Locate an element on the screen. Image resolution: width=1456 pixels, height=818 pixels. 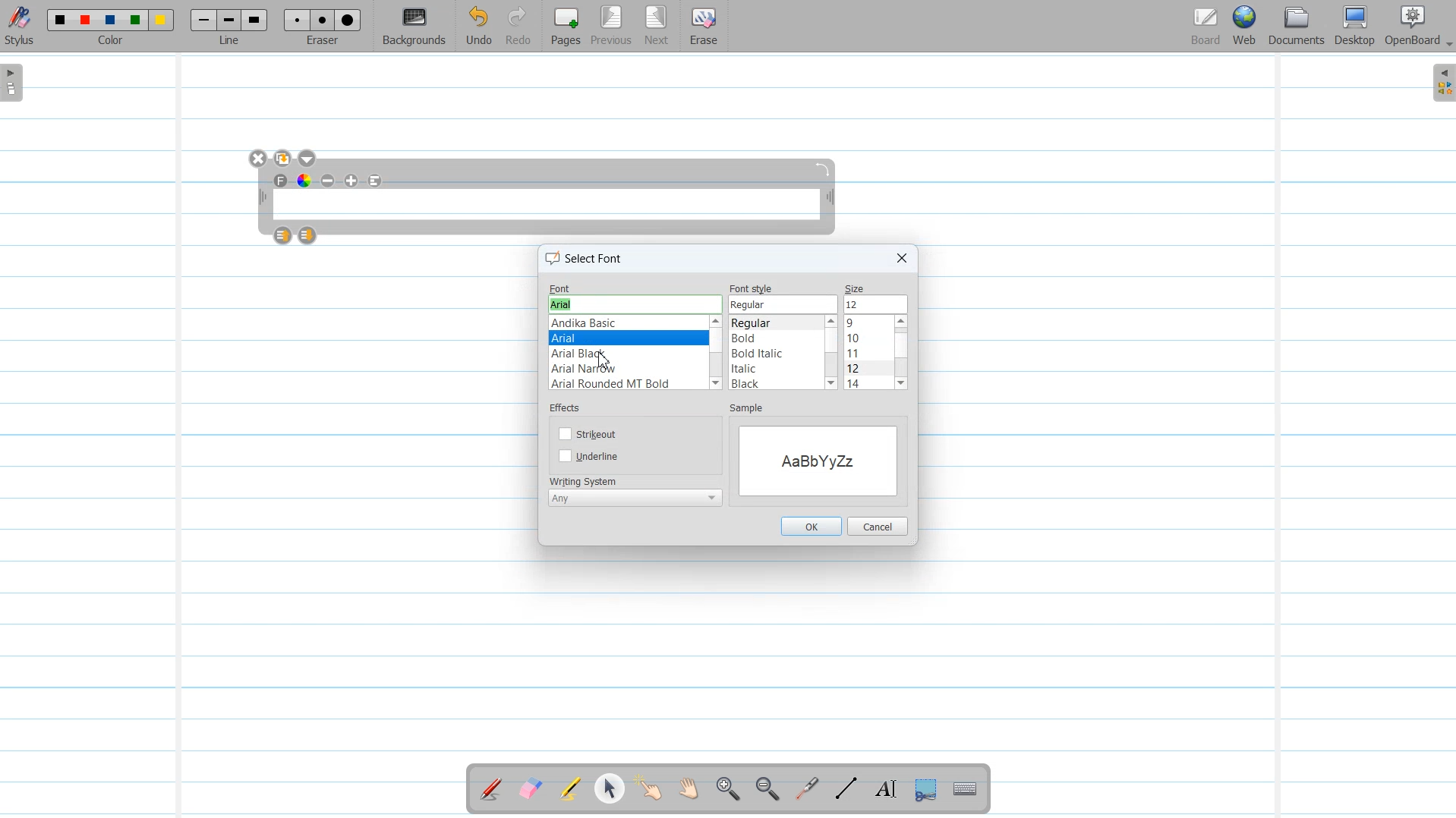
Sample Window is located at coordinates (821, 462).